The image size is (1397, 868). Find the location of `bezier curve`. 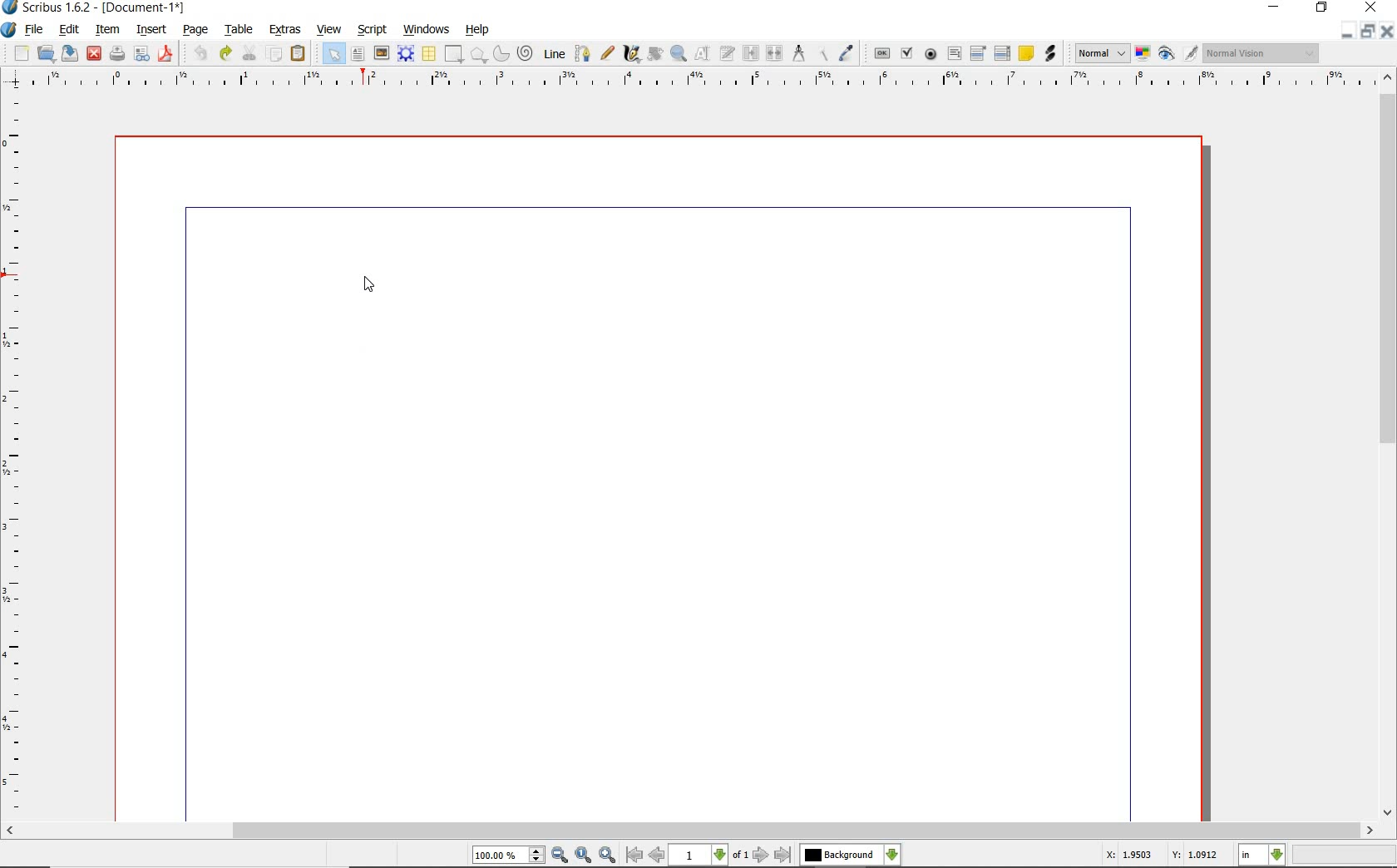

bezier curve is located at coordinates (582, 53).